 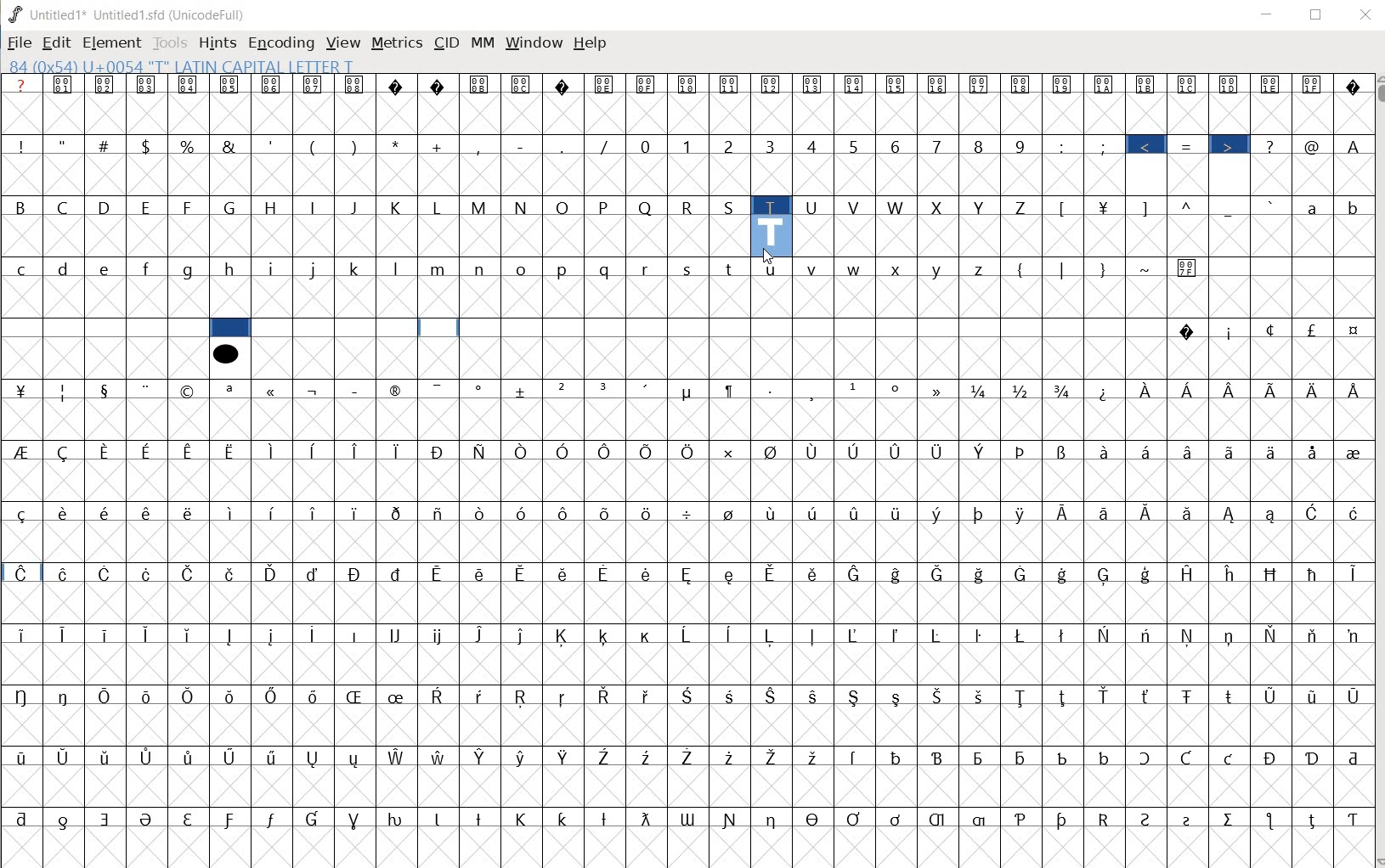 I want to click on Symbol, so click(x=1105, y=818).